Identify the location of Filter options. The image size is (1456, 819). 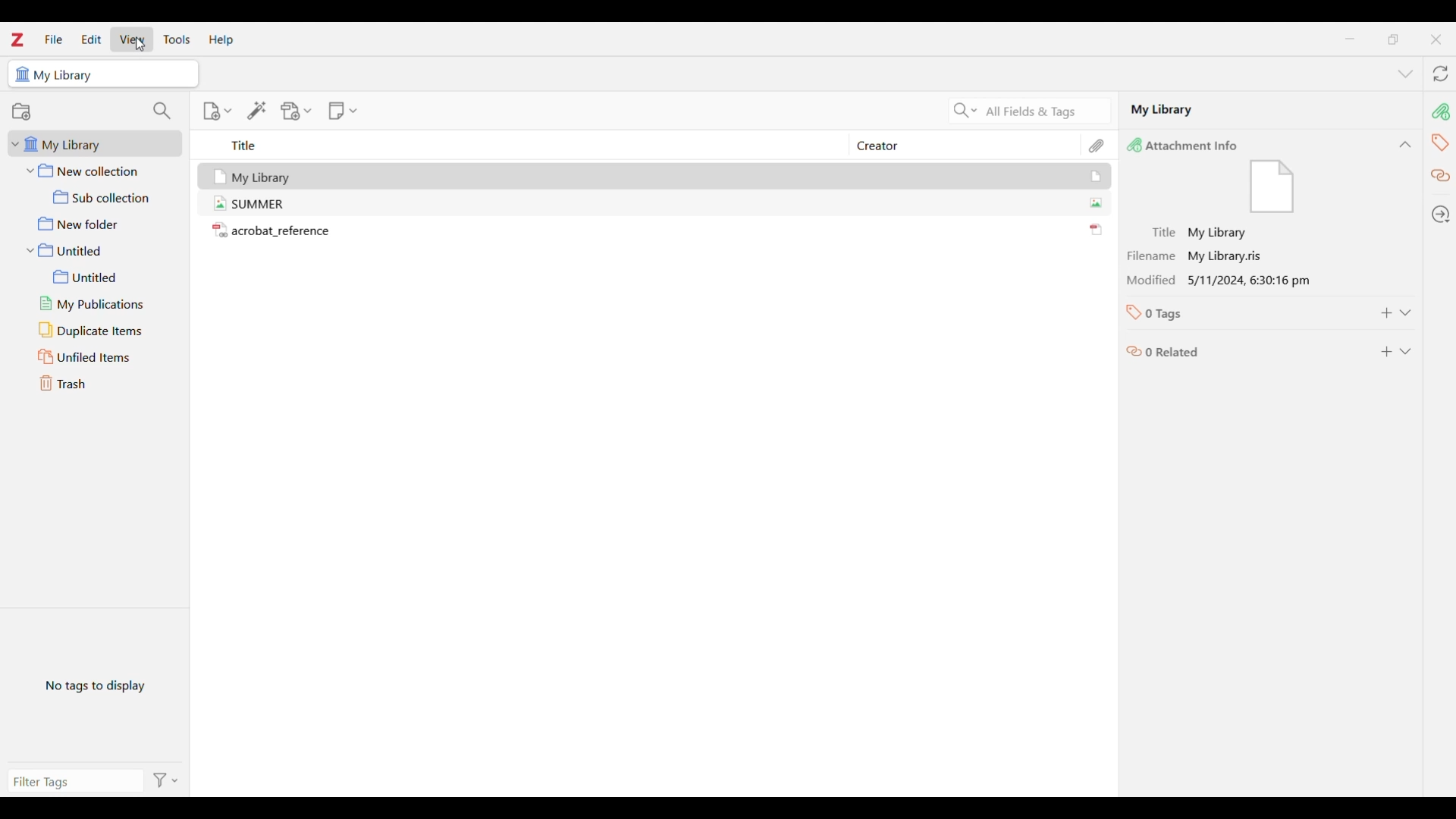
(165, 780).